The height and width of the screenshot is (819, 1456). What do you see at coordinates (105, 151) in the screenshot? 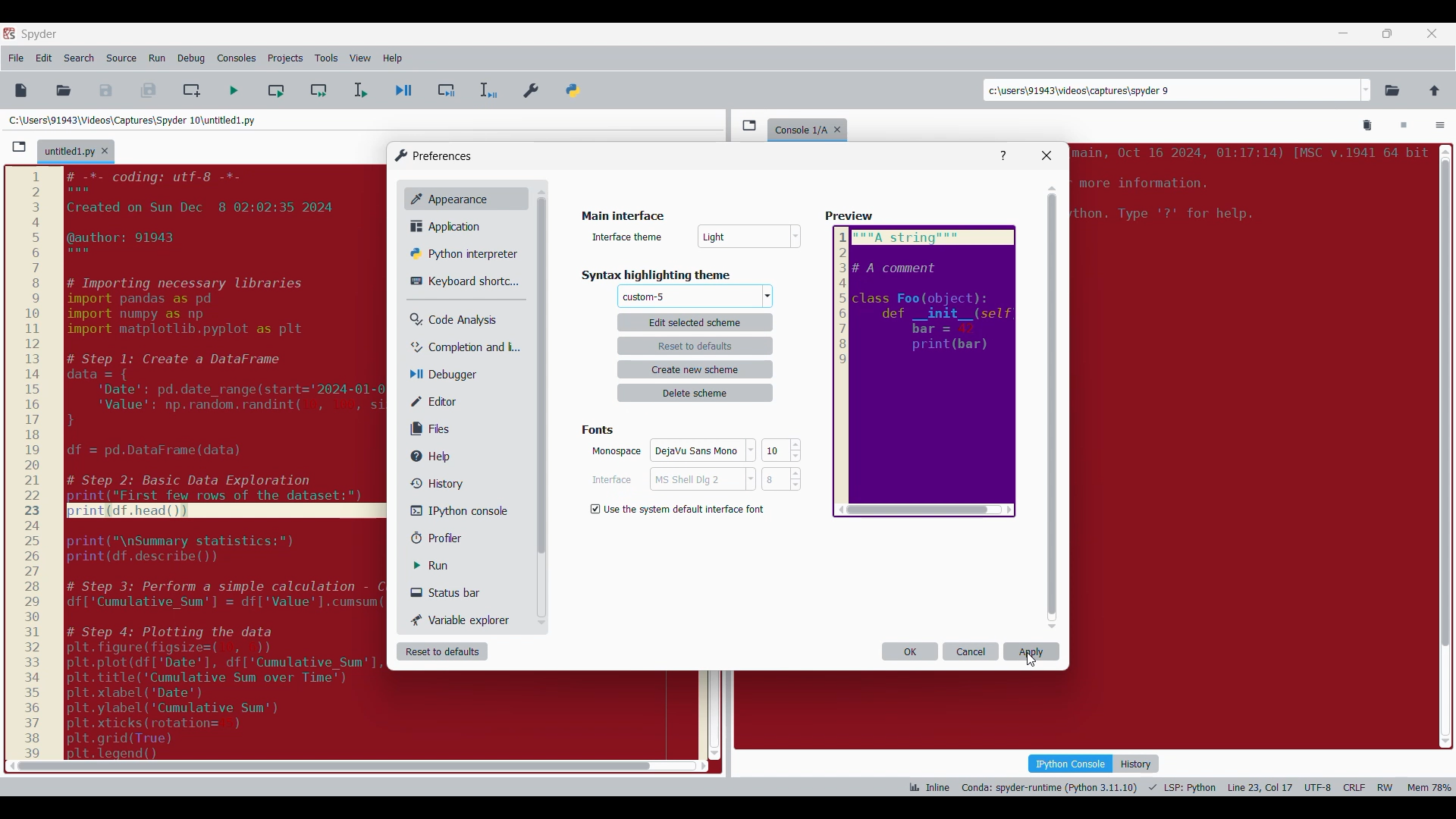
I see `Close tab` at bounding box center [105, 151].